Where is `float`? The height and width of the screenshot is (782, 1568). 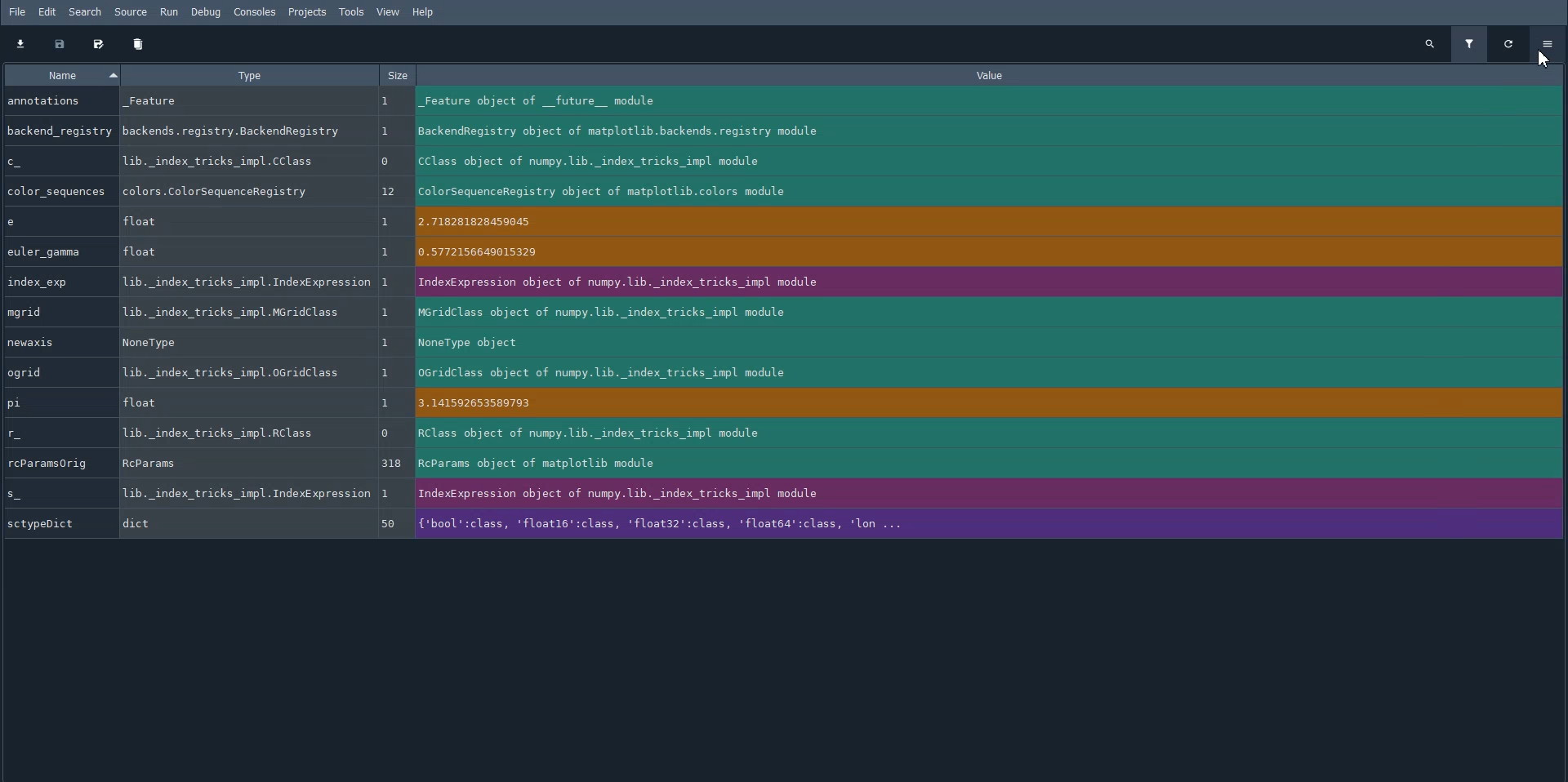
float is located at coordinates (234, 402).